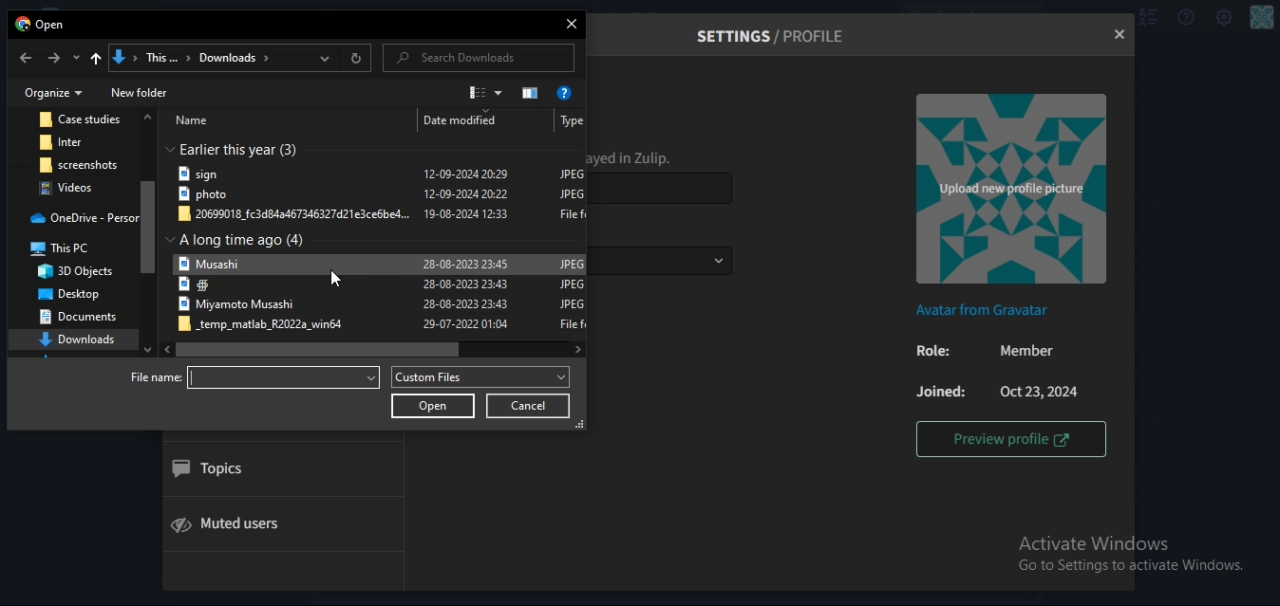 The image size is (1280, 606). I want to click on view, so click(486, 92).